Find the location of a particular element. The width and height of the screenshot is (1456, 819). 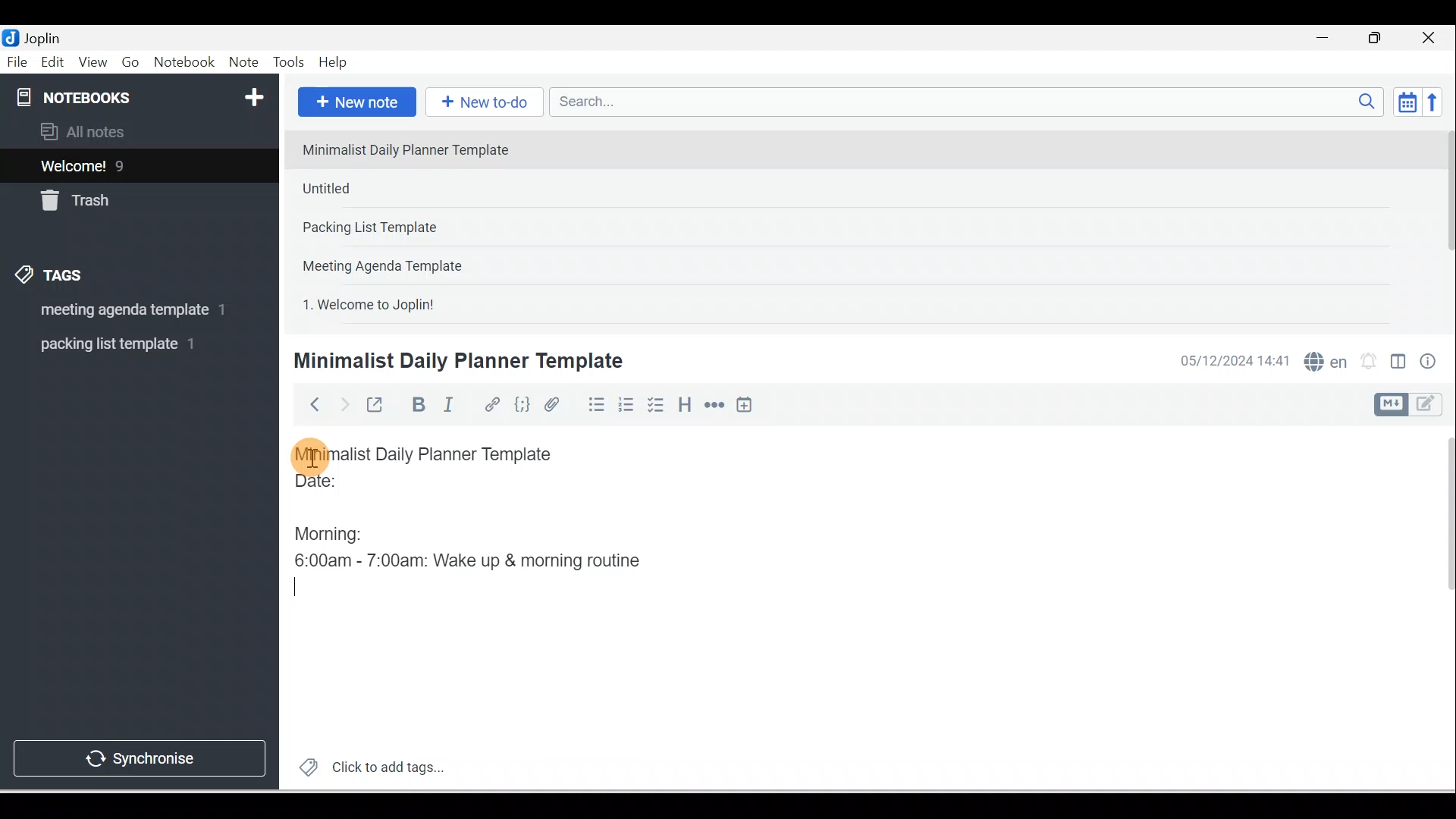

Joplin is located at coordinates (46, 36).